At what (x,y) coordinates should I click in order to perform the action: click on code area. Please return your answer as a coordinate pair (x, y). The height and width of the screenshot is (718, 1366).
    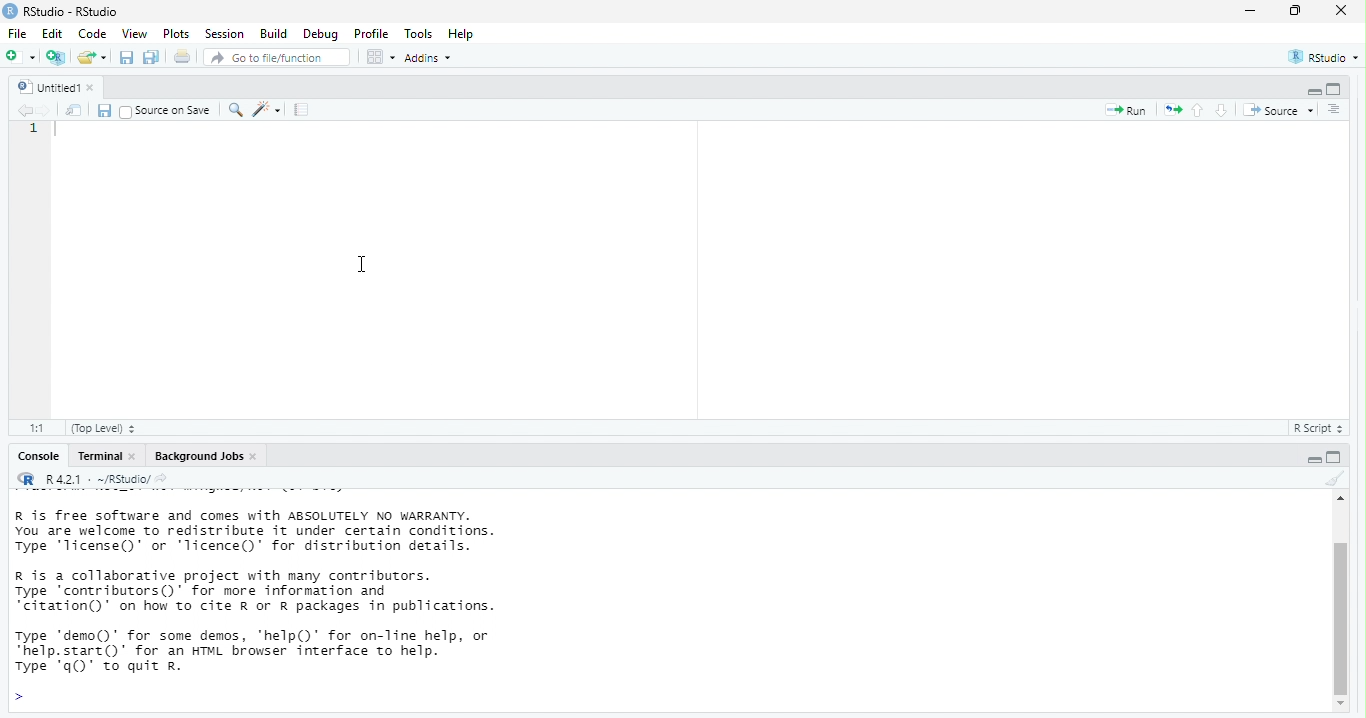
    Looking at the image, I should click on (368, 279).